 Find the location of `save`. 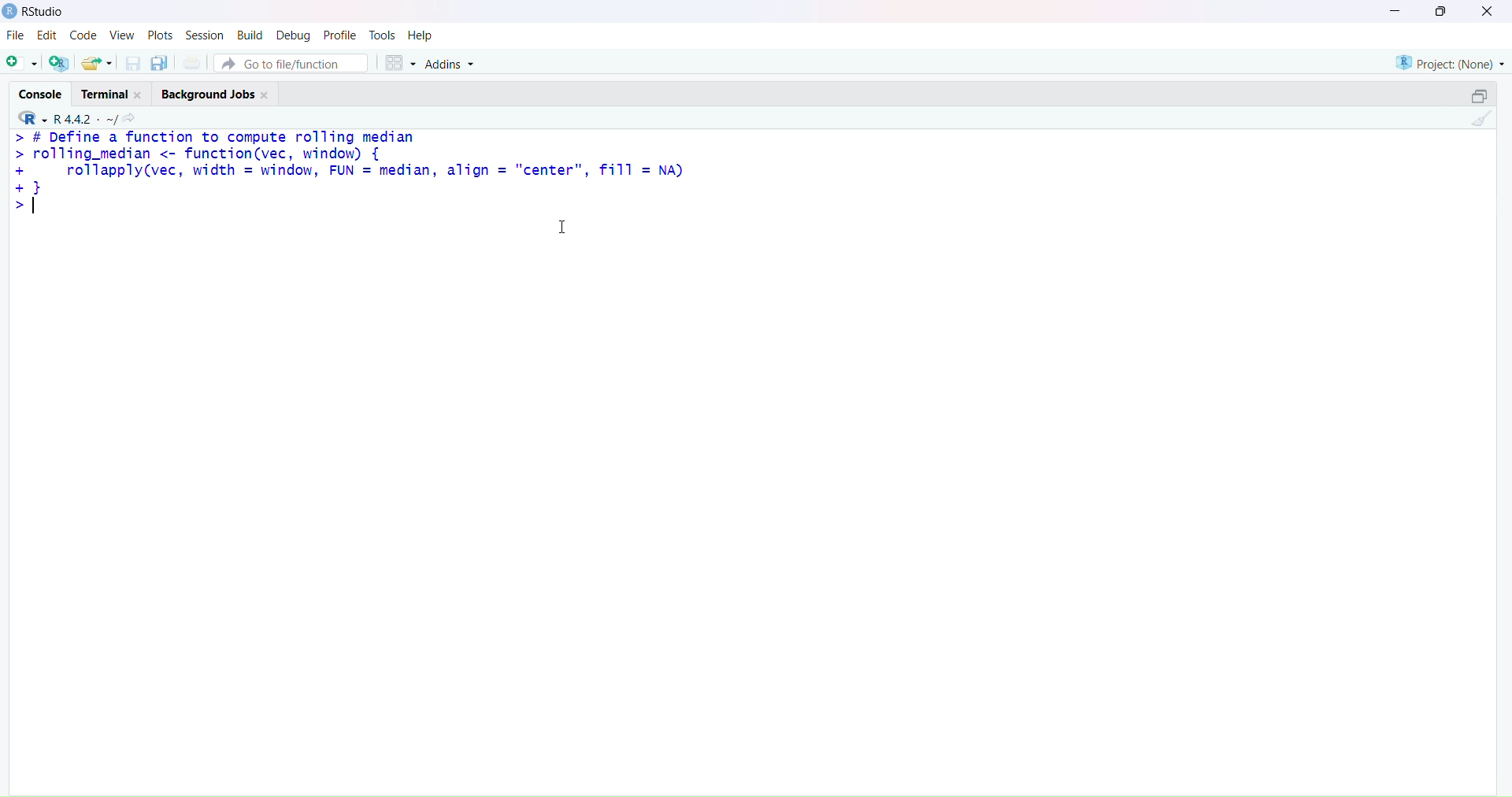

save is located at coordinates (135, 63).